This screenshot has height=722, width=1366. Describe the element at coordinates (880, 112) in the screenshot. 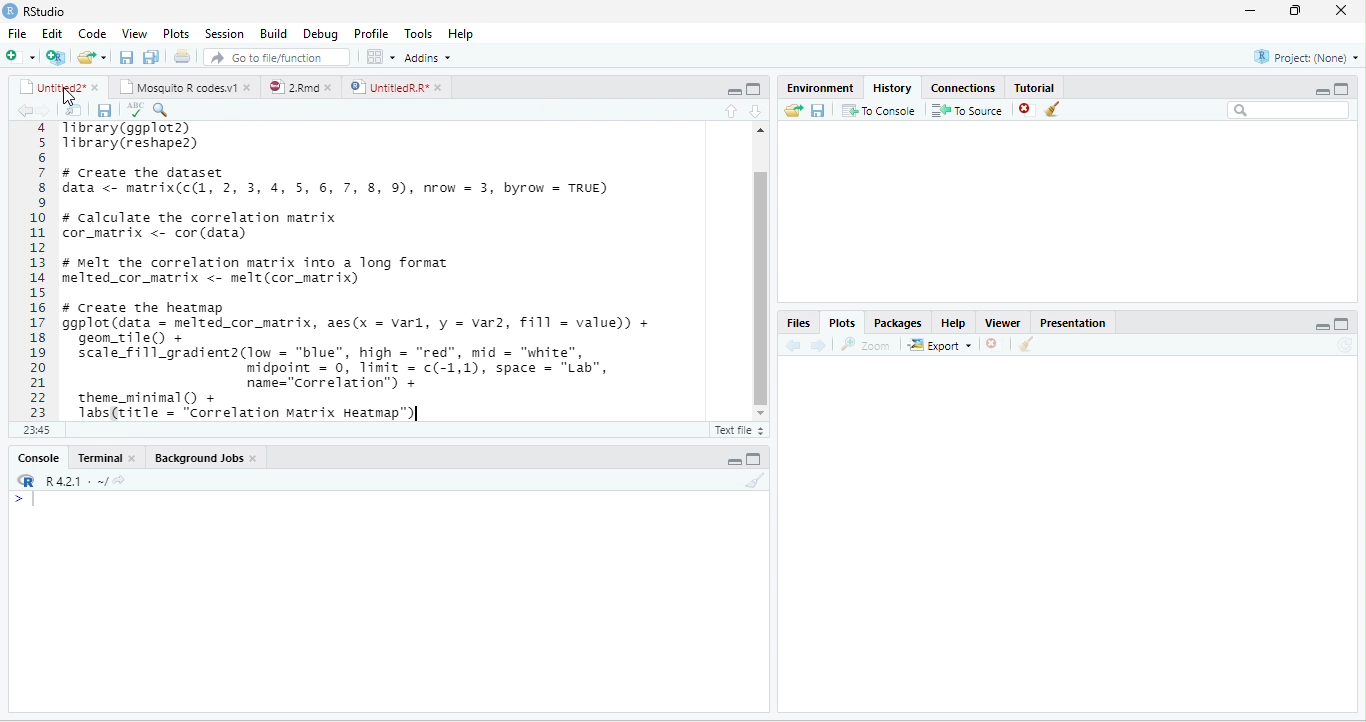

I see `to console` at that location.